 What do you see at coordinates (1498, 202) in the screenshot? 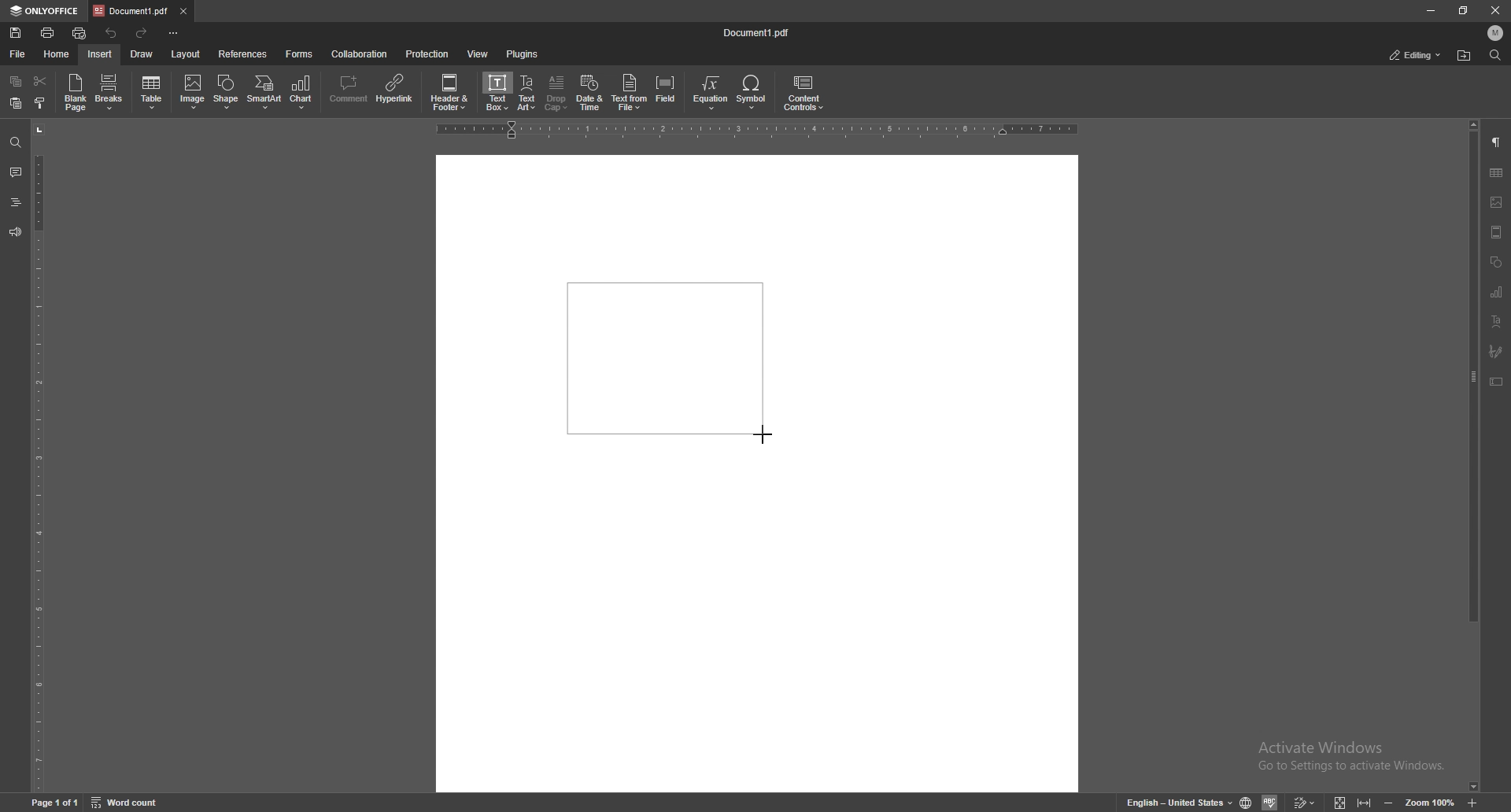
I see `image` at bounding box center [1498, 202].